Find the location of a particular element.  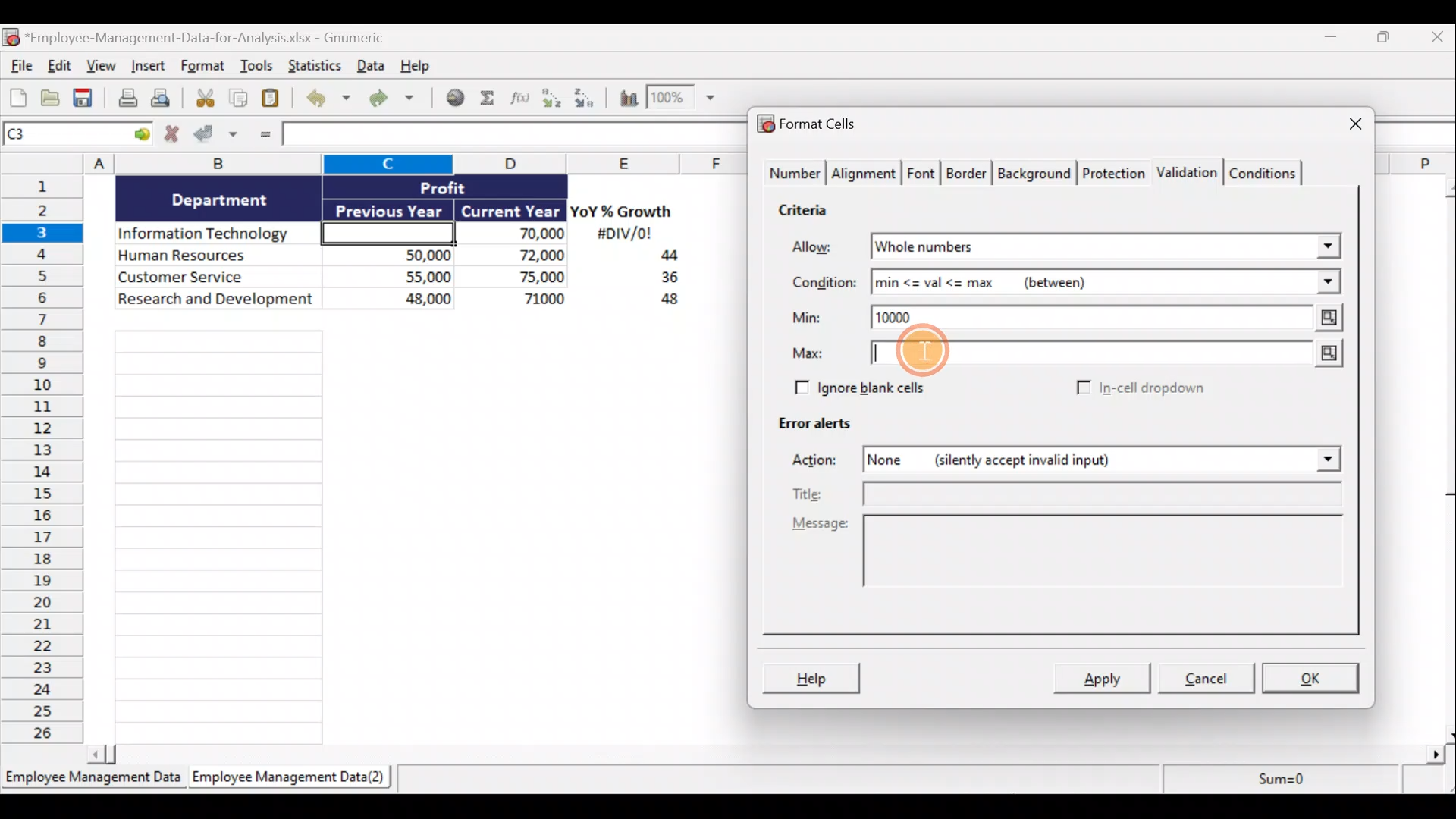

Cell name C1 is located at coordinates (64, 136).